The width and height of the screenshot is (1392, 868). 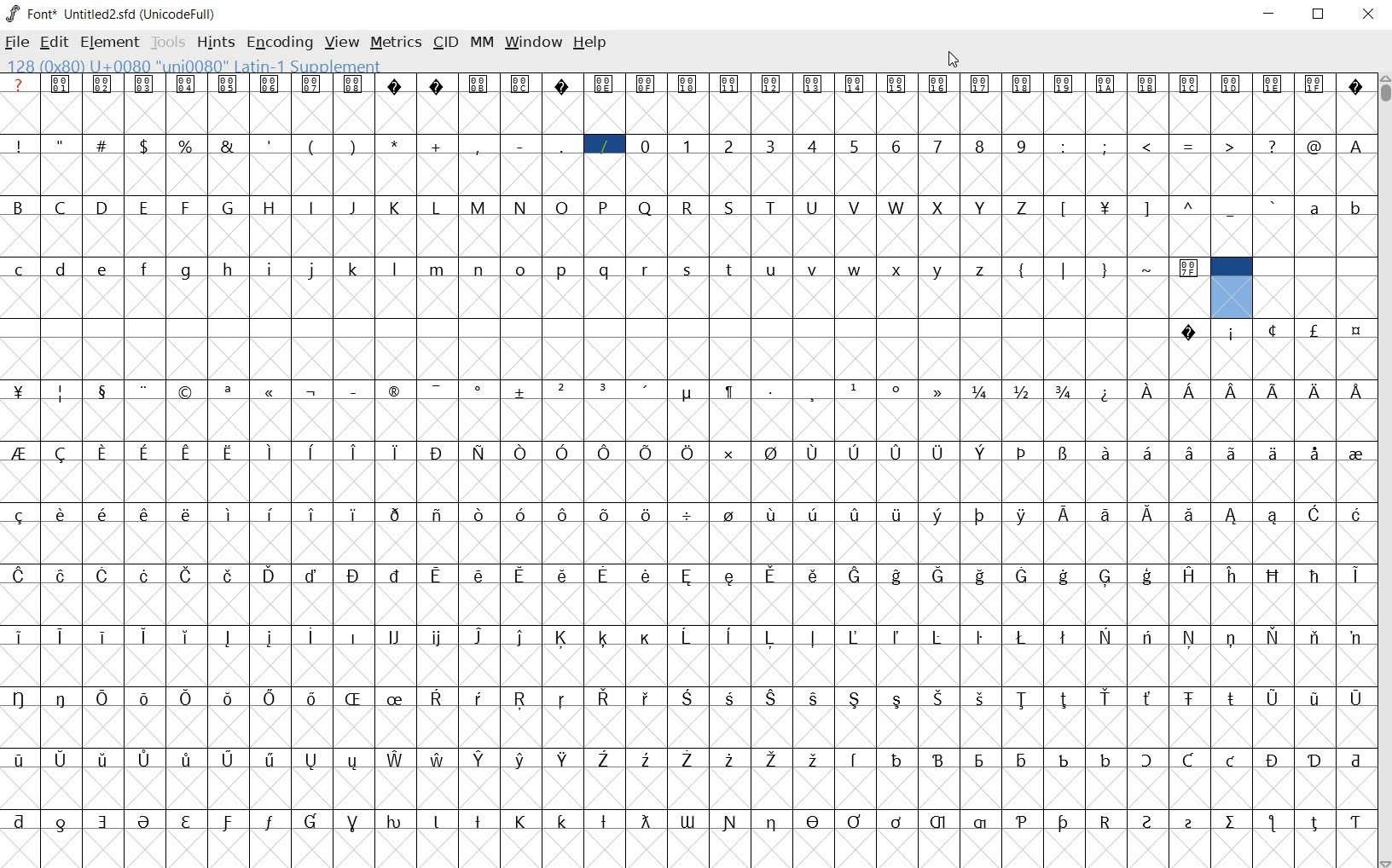 What do you see at coordinates (1105, 85) in the screenshot?
I see `Symbol` at bounding box center [1105, 85].